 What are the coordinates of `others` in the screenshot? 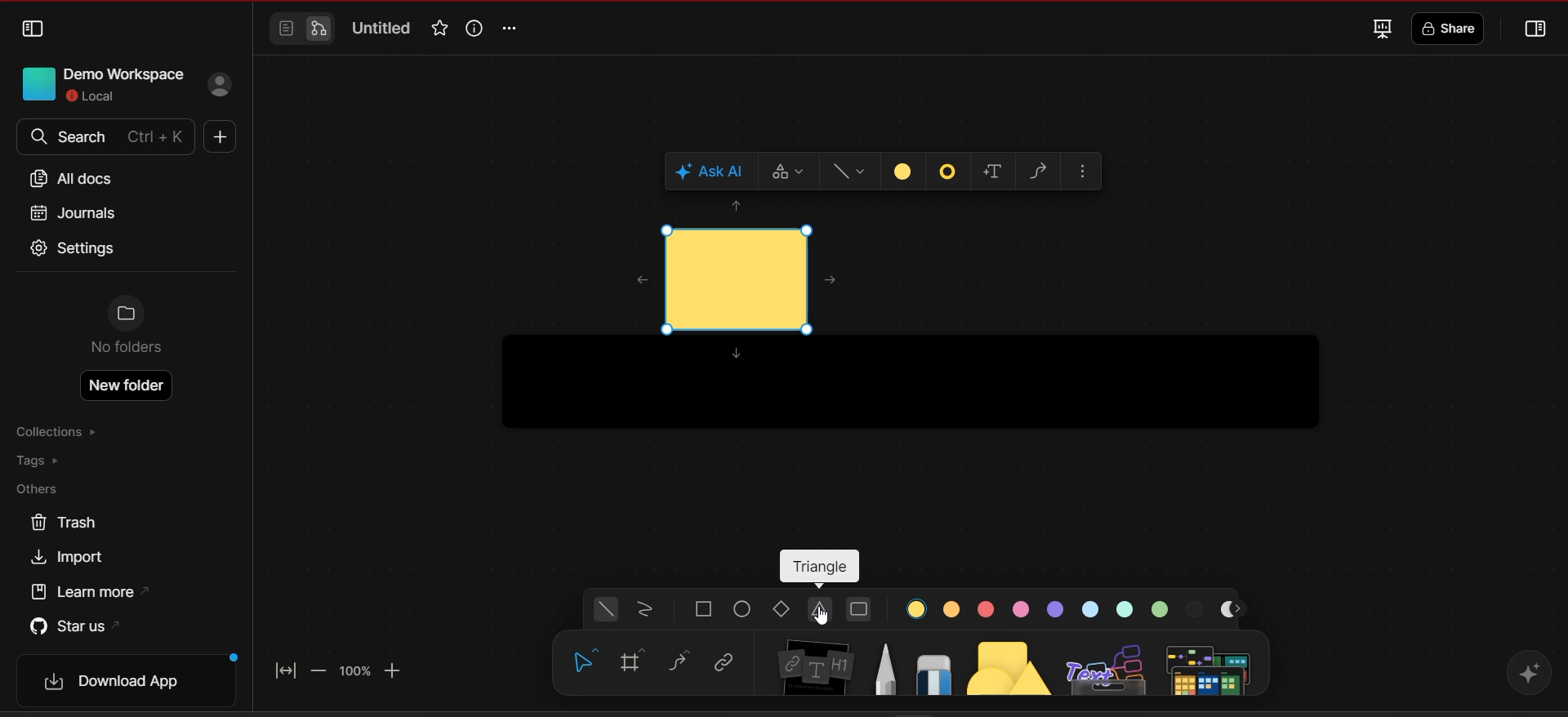 It's located at (45, 490).